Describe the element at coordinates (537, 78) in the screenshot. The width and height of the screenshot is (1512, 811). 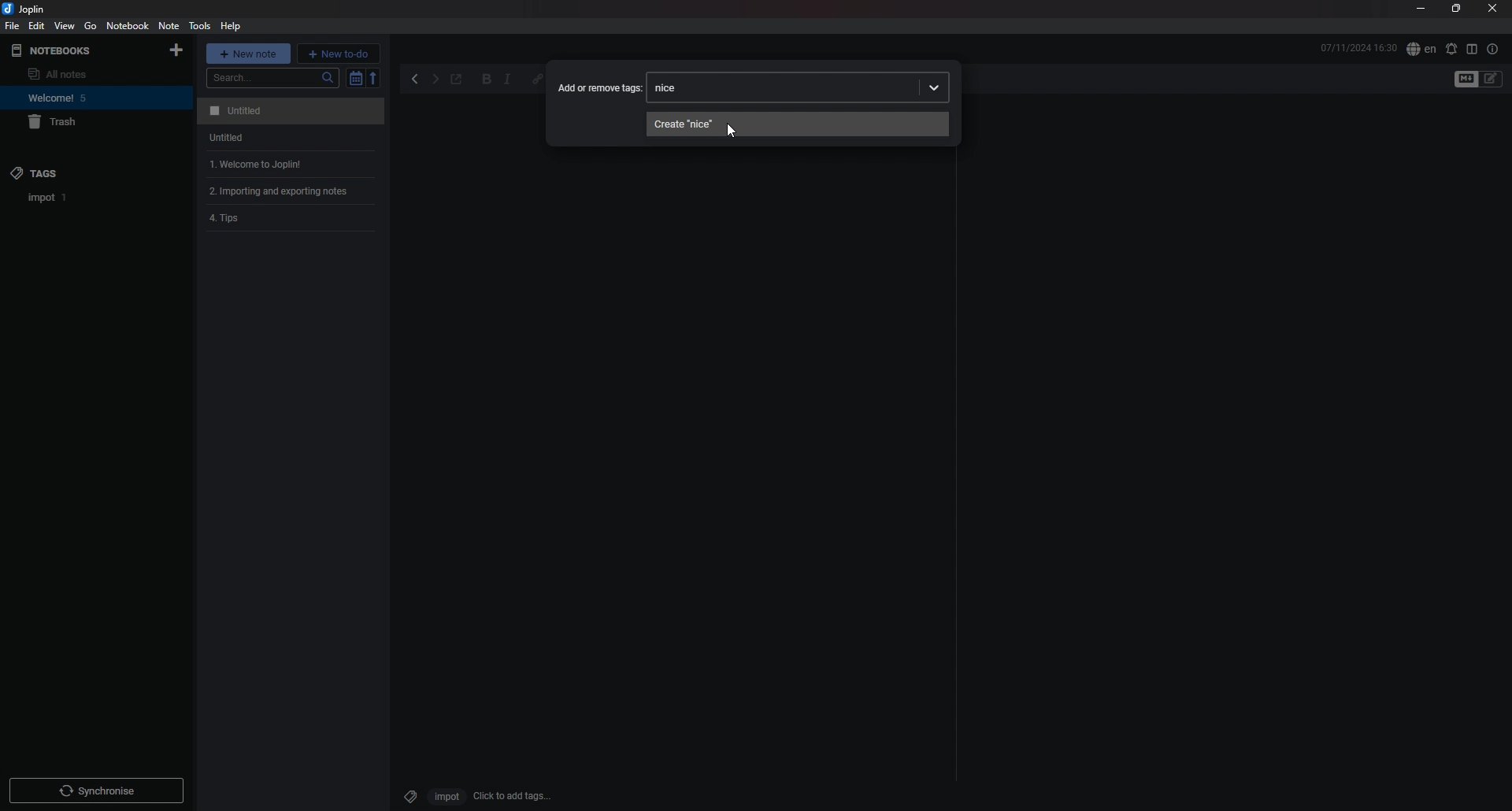
I see `hyperlink` at that location.